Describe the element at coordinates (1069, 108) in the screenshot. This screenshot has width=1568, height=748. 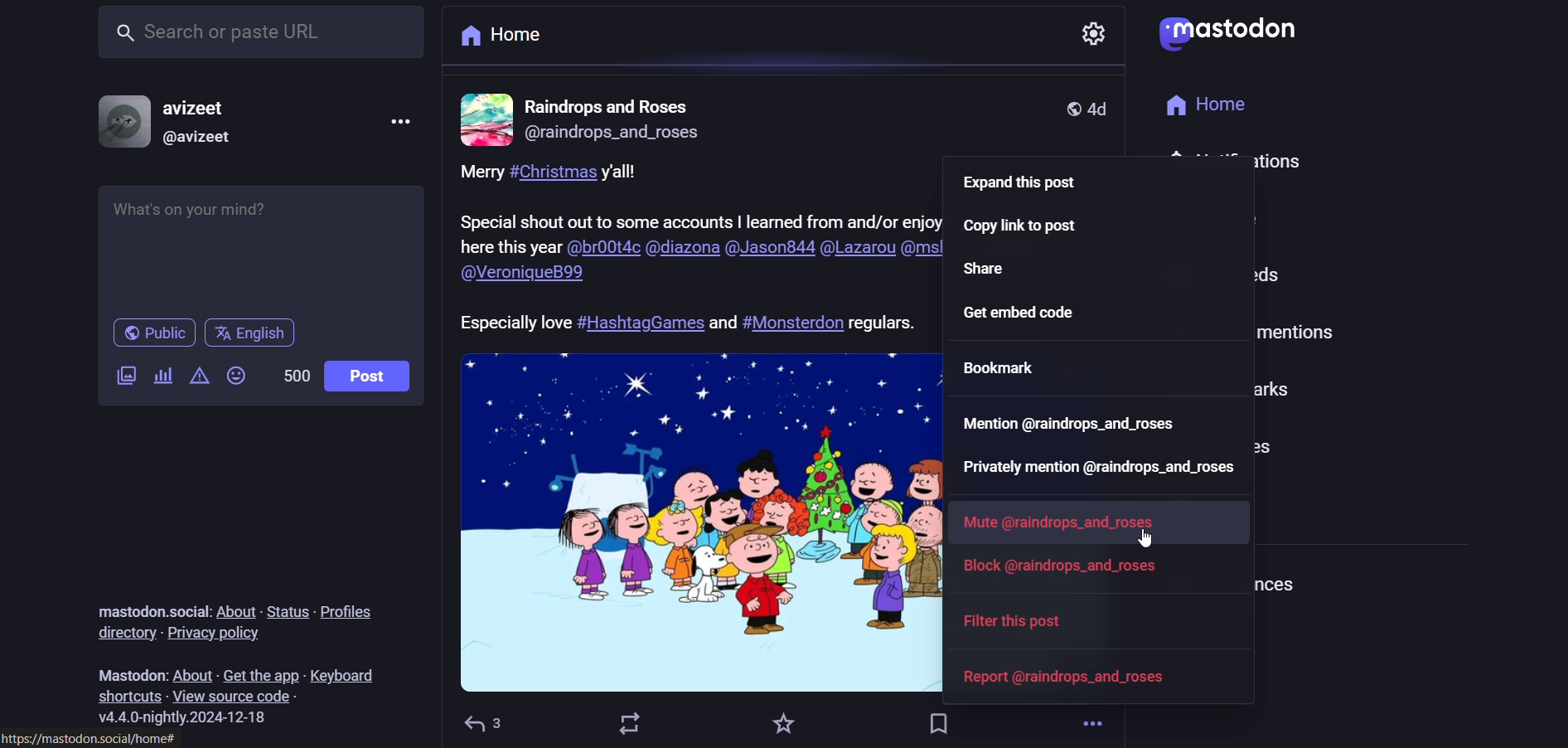
I see `global` at that location.